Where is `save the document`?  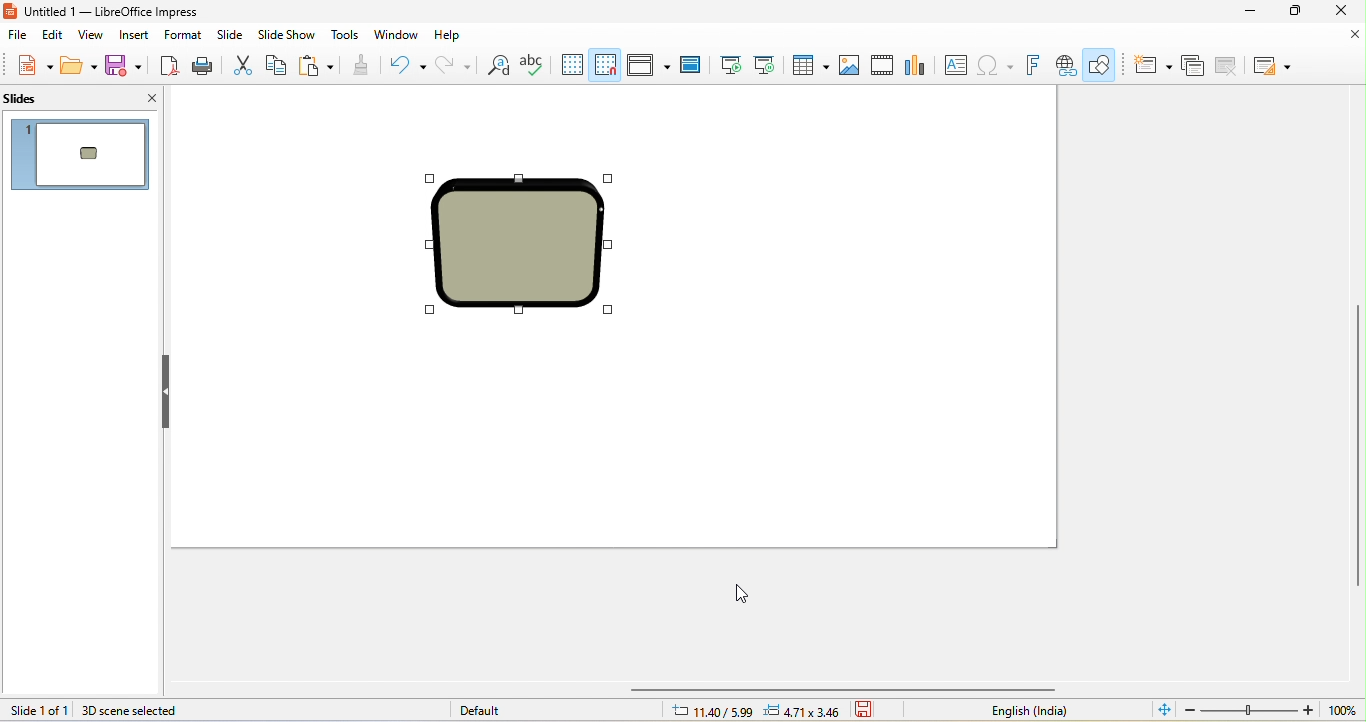
save the document is located at coordinates (870, 711).